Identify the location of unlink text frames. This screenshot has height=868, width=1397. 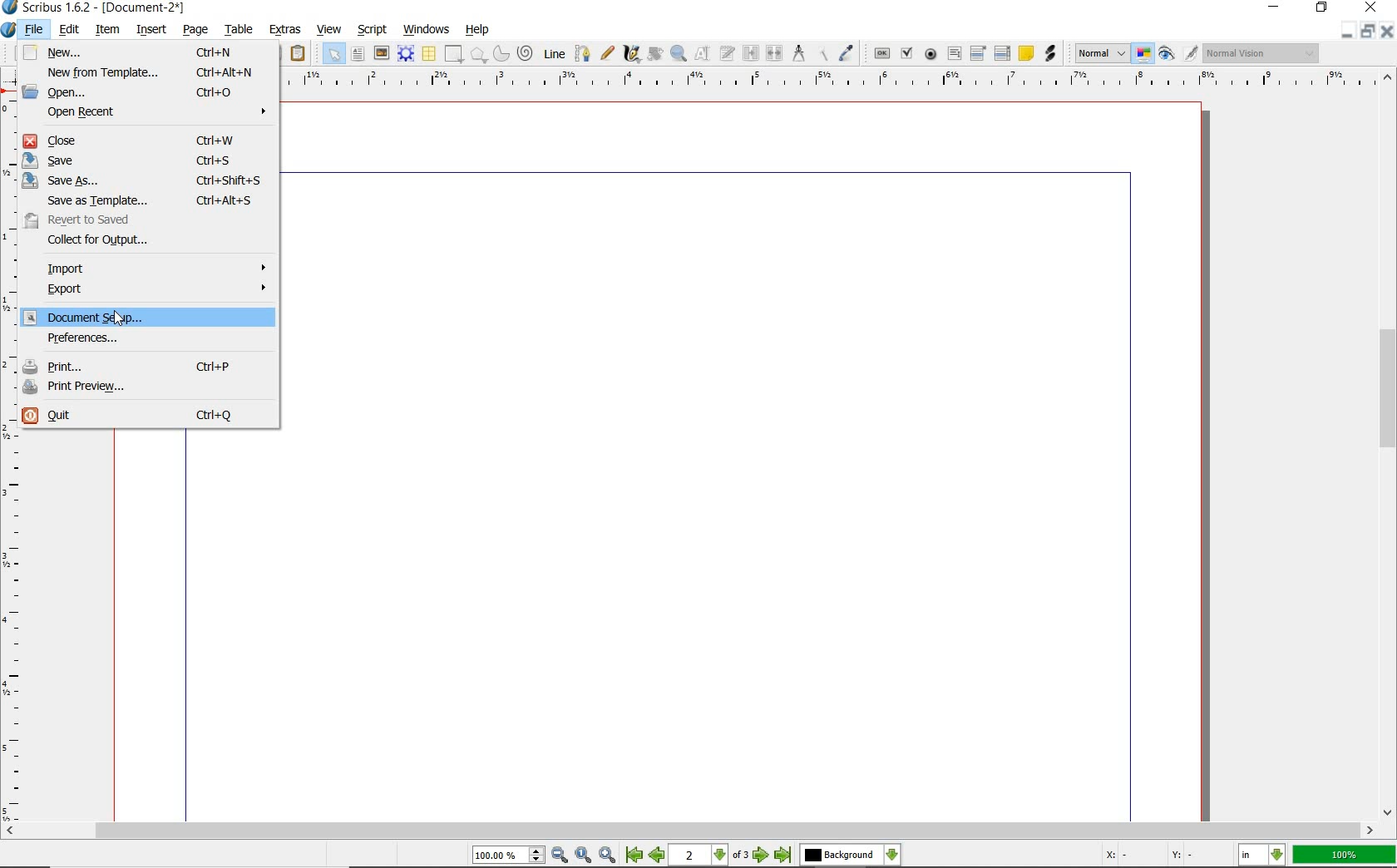
(774, 53).